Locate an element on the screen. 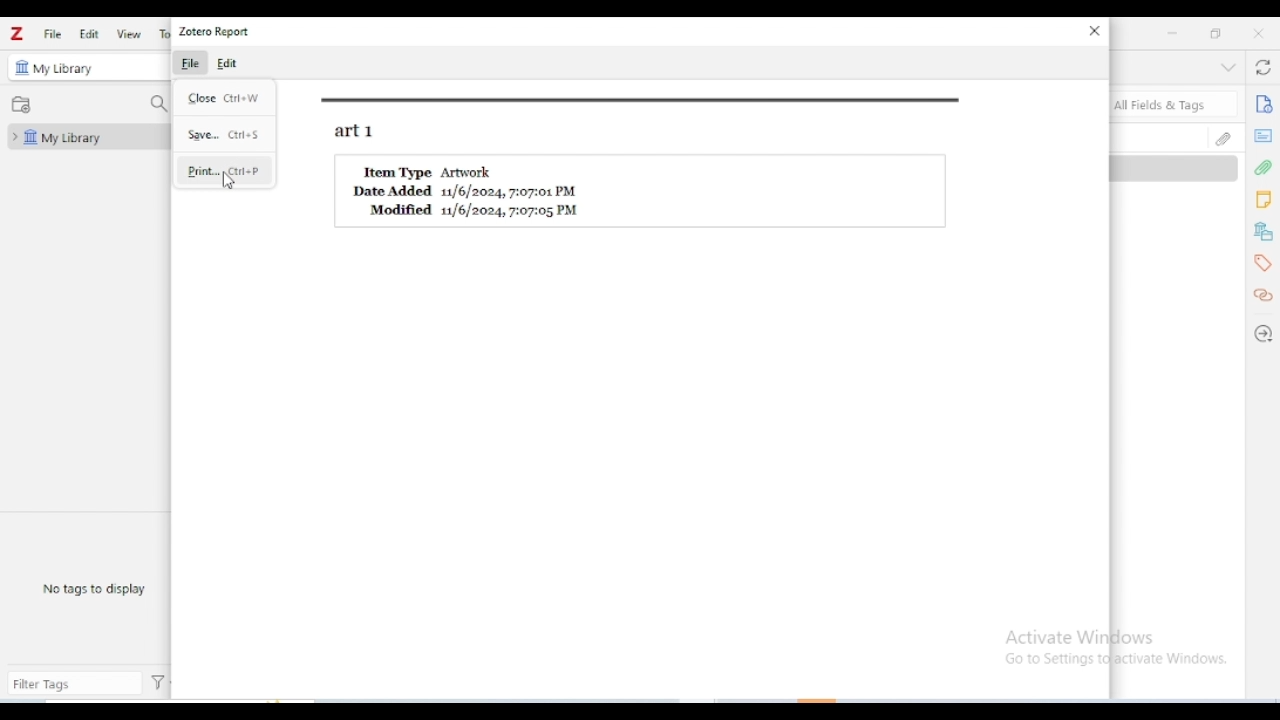  close is located at coordinates (1258, 33).